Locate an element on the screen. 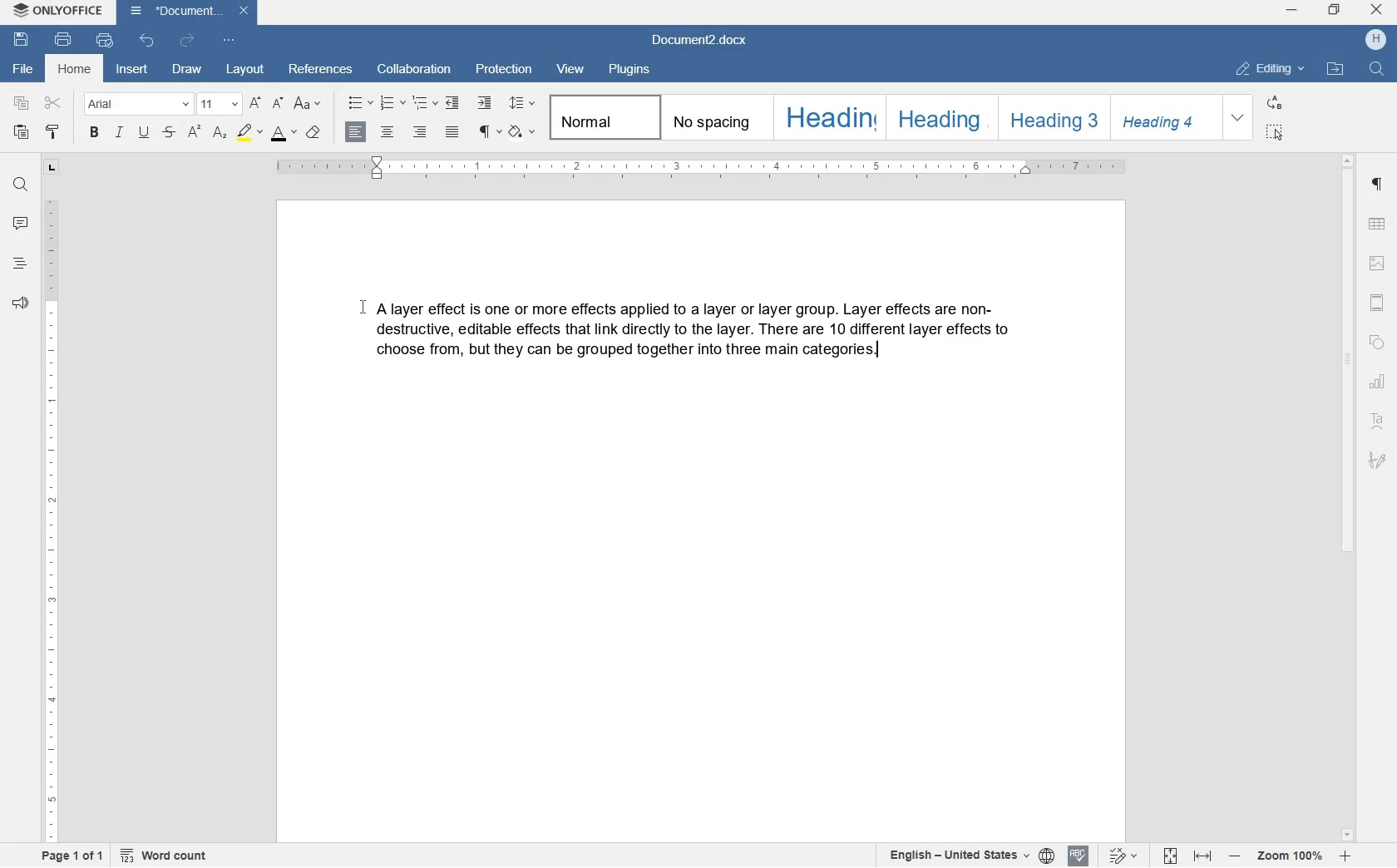 The width and height of the screenshot is (1397, 868). copy style is located at coordinates (53, 133).